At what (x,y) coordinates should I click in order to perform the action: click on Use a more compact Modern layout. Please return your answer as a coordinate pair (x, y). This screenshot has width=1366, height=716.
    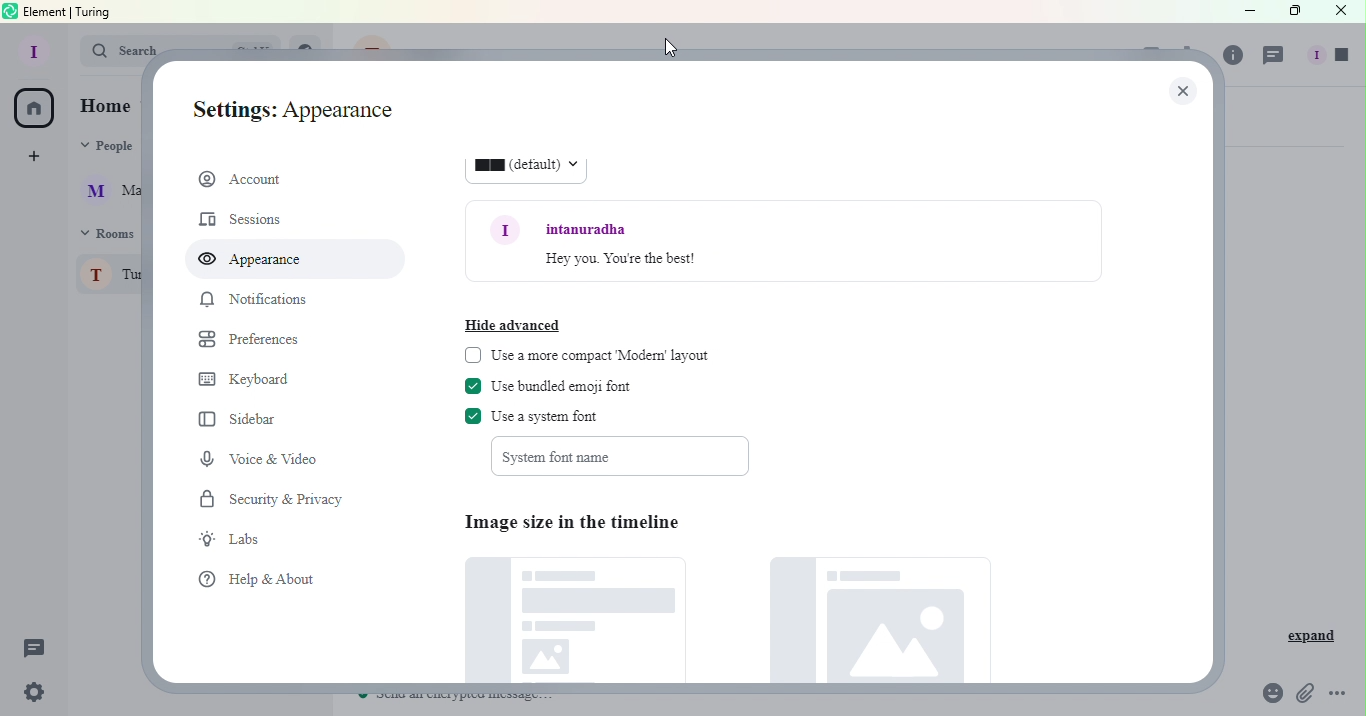
    Looking at the image, I should click on (623, 356).